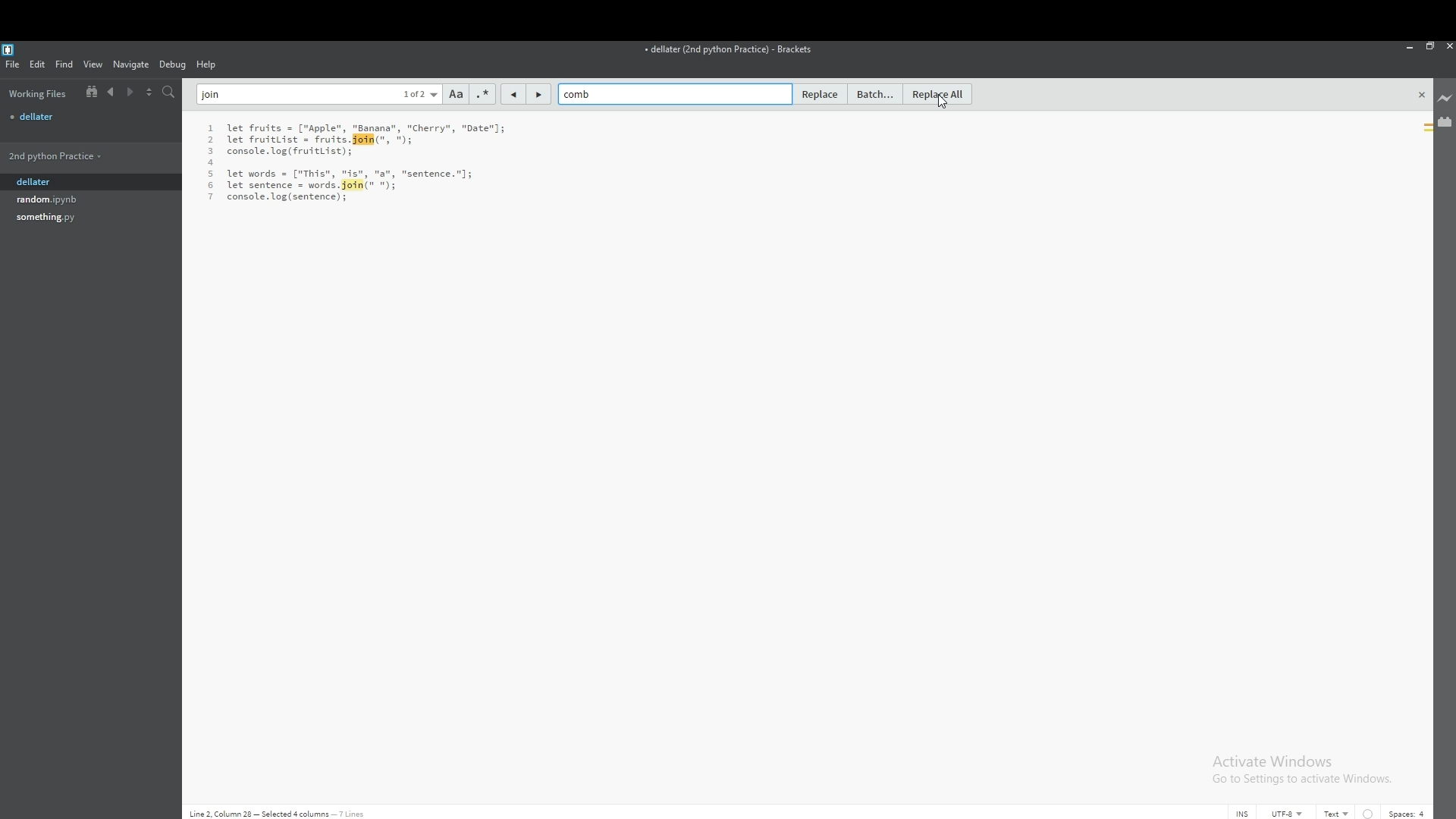 This screenshot has height=819, width=1456. What do you see at coordinates (132, 64) in the screenshot?
I see `navigate` at bounding box center [132, 64].